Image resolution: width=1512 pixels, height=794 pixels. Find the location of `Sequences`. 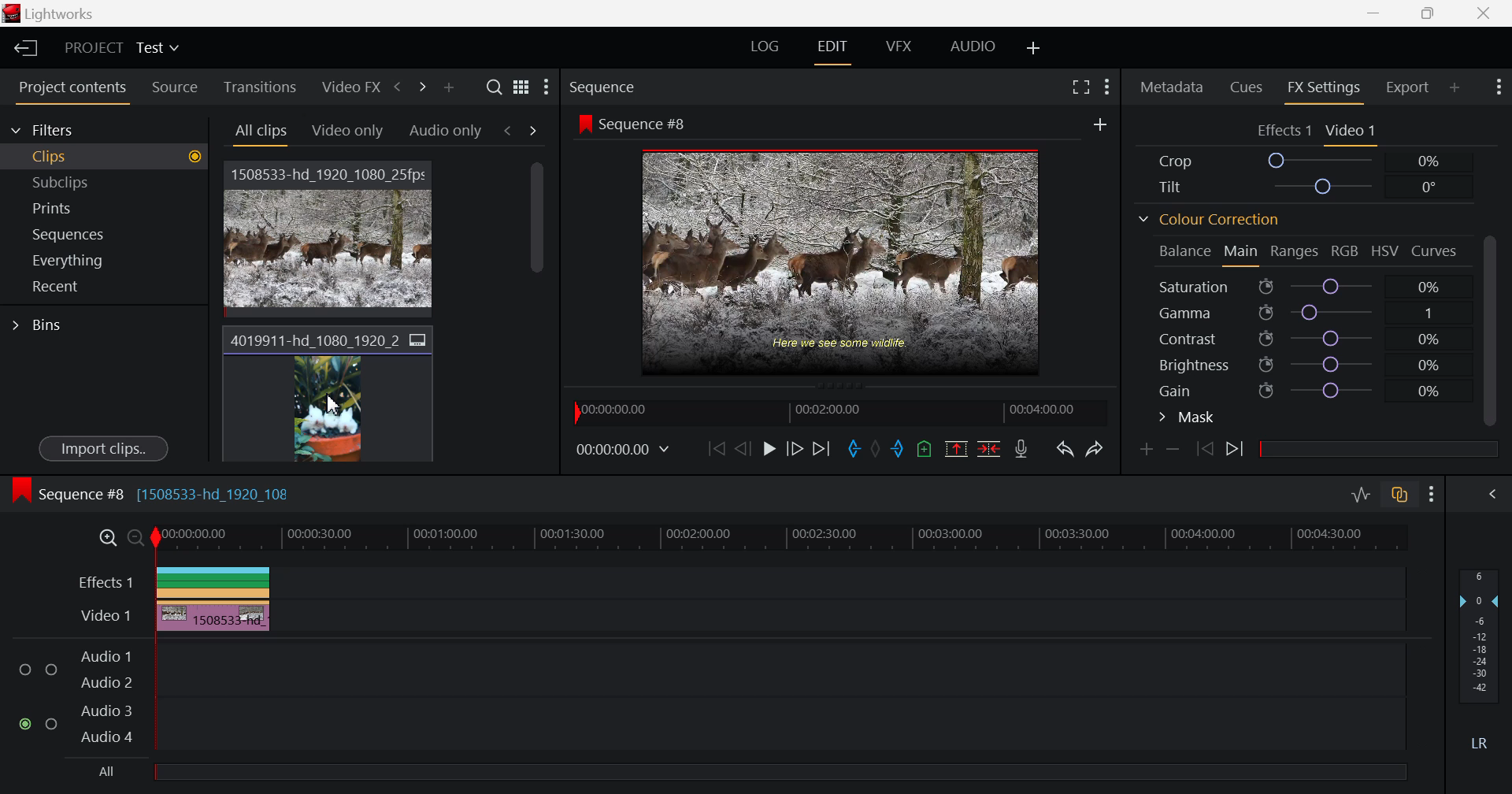

Sequences is located at coordinates (102, 233).